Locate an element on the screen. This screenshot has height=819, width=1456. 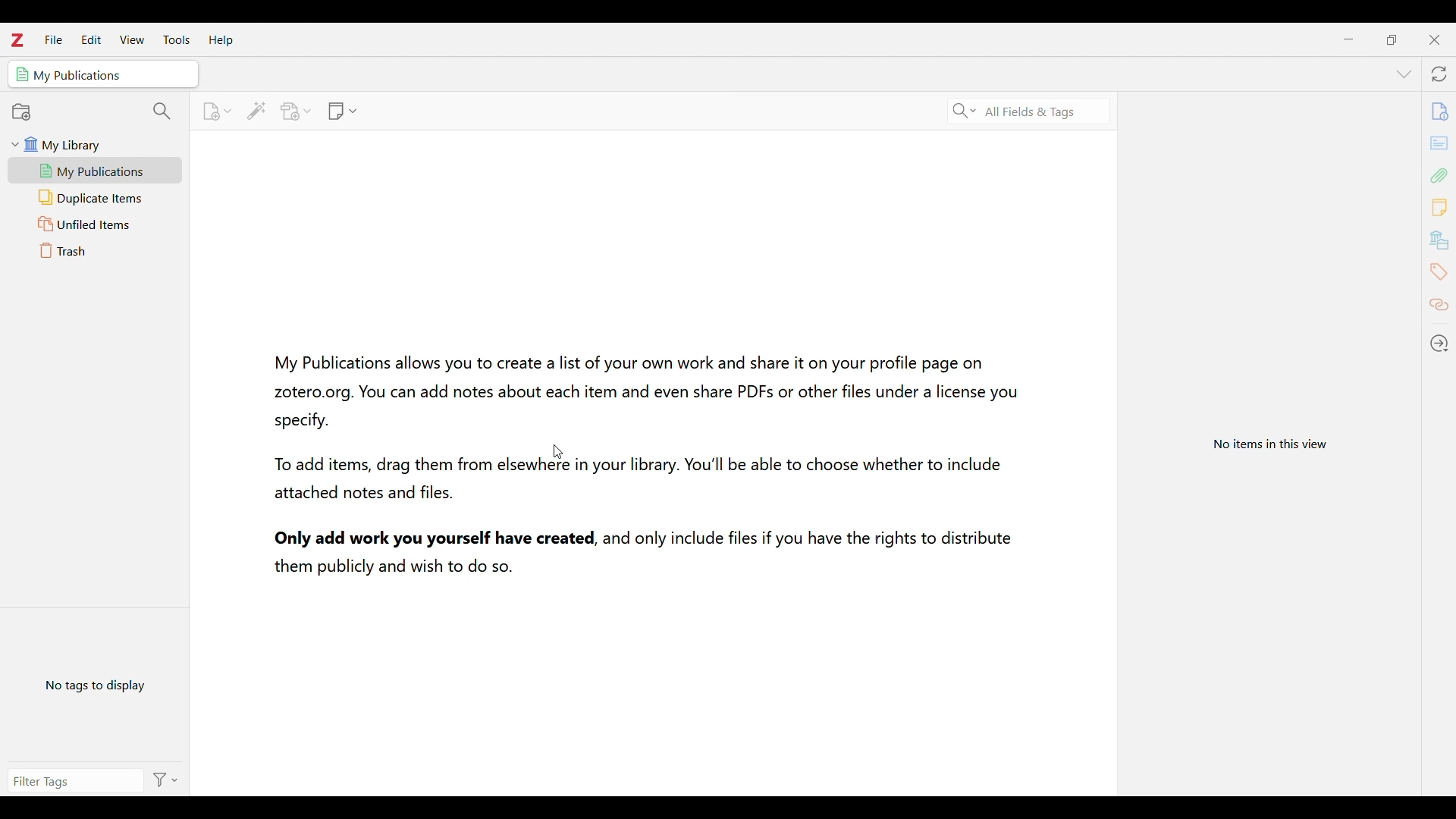
Attachments is located at coordinates (1439, 175).